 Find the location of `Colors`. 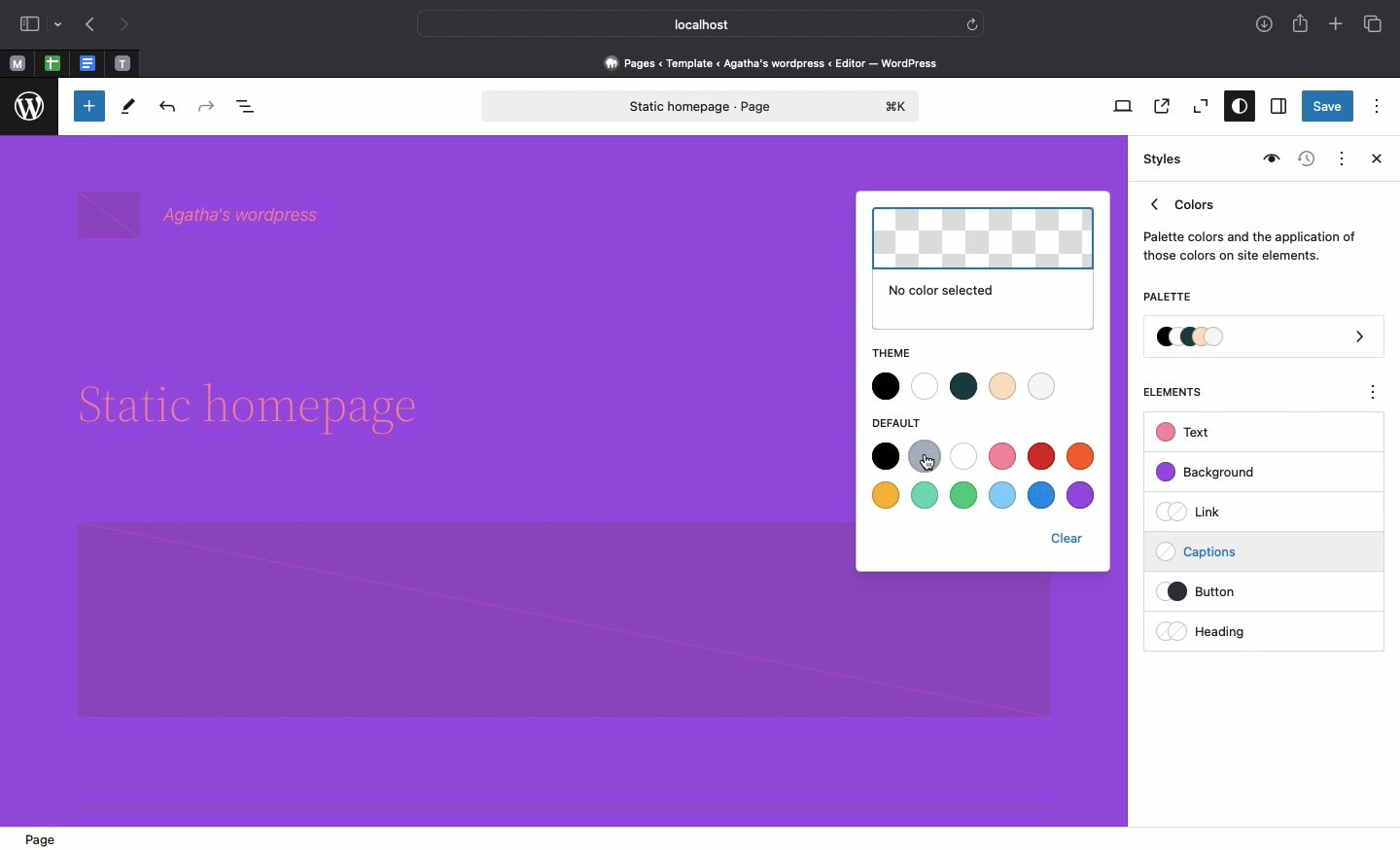

Colors is located at coordinates (1250, 226).